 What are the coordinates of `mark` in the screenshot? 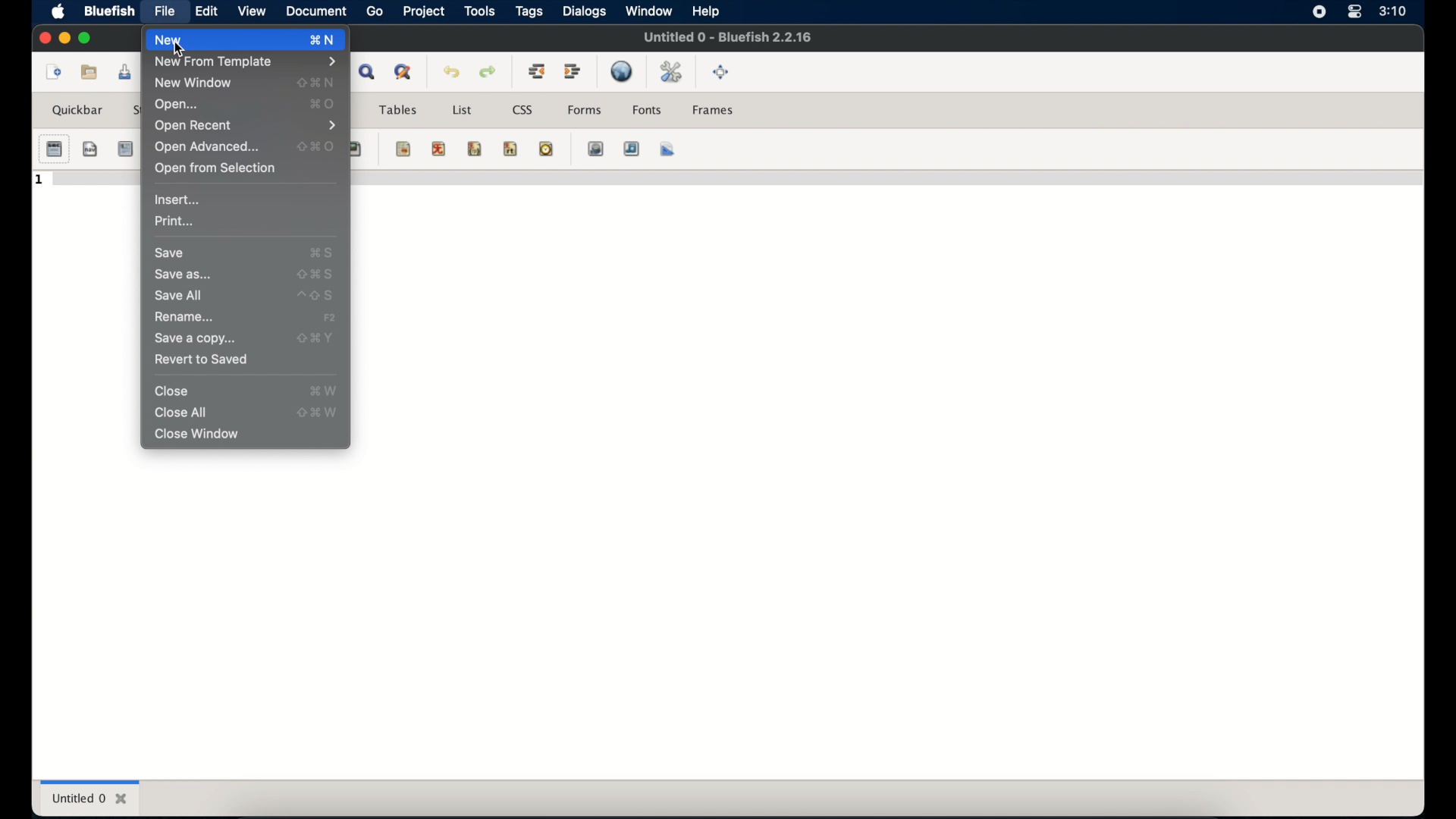 It's located at (404, 149).